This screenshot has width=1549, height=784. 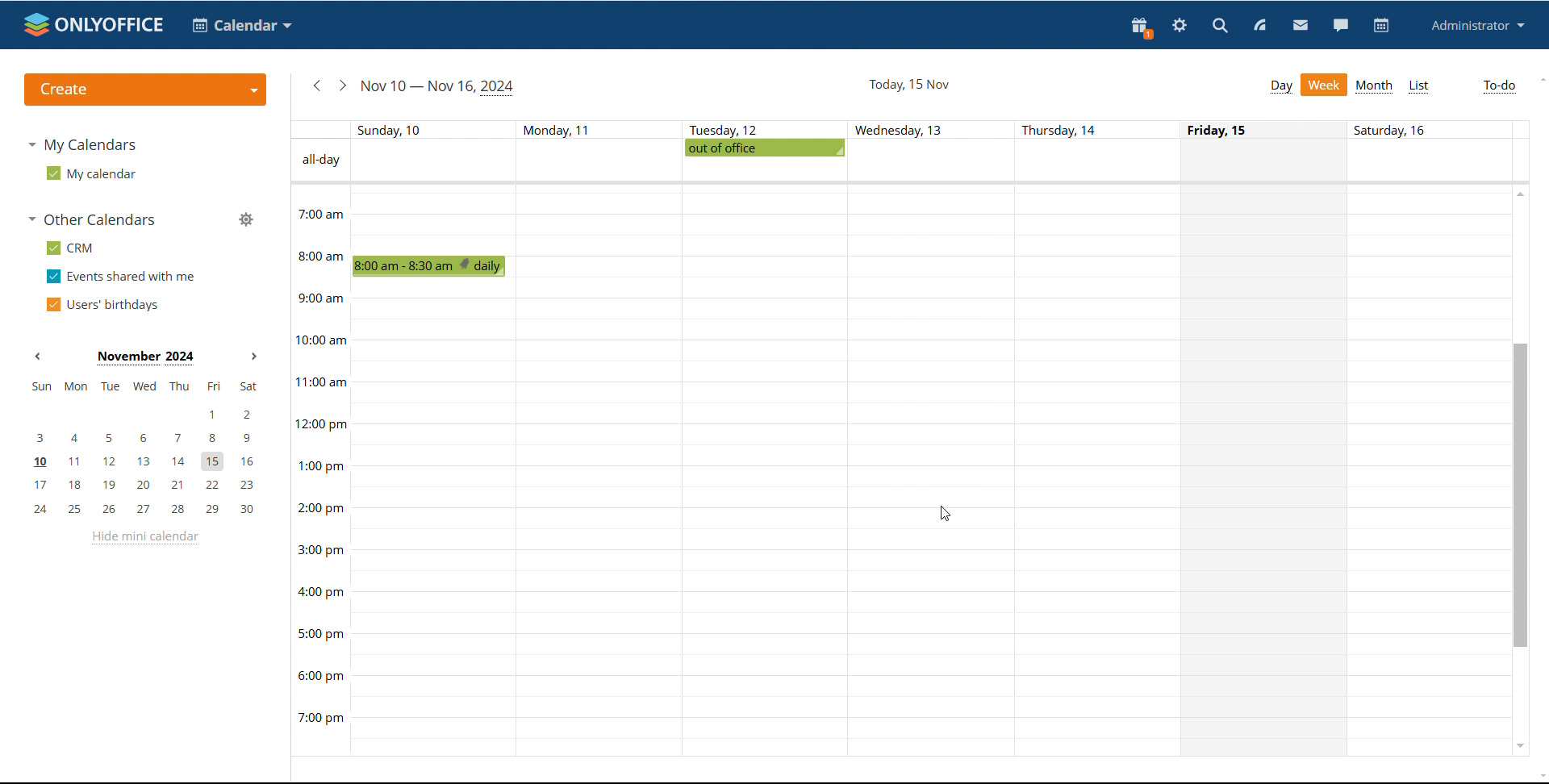 What do you see at coordinates (1539, 777) in the screenshot?
I see `scroll down` at bounding box center [1539, 777].